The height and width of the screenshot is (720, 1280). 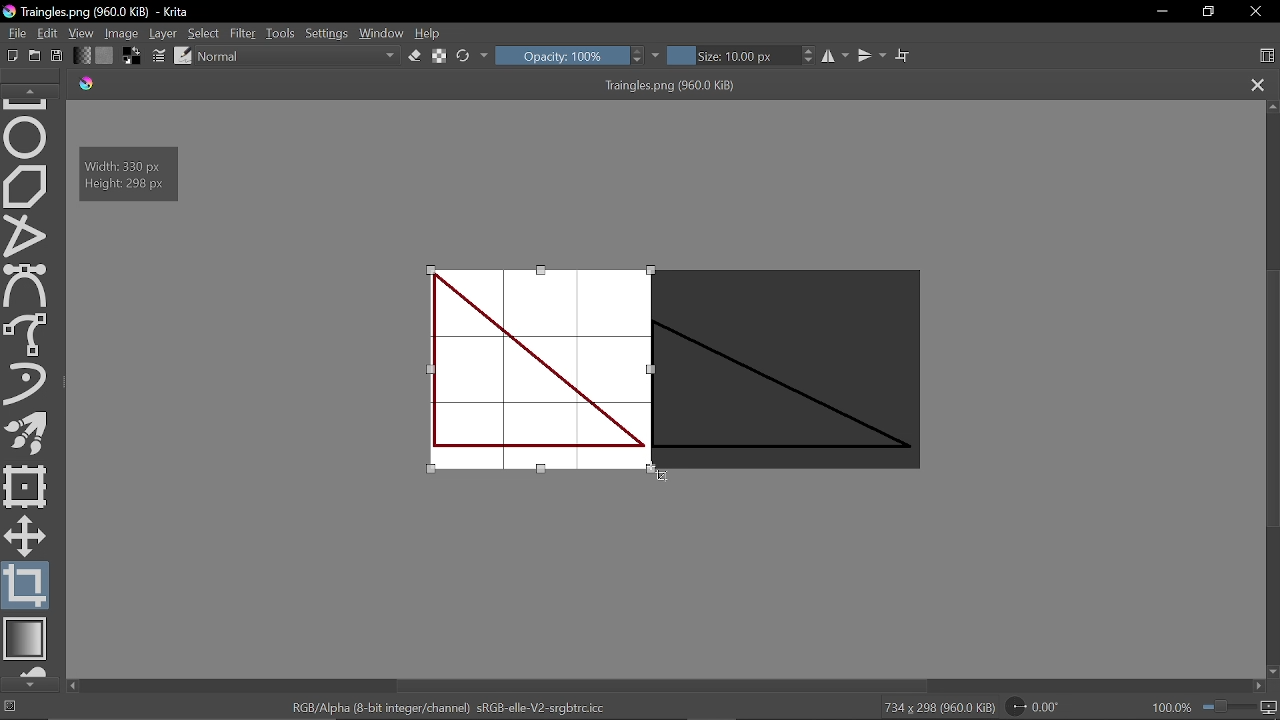 I want to click on Reload original preset, so click(x=464, y=56).